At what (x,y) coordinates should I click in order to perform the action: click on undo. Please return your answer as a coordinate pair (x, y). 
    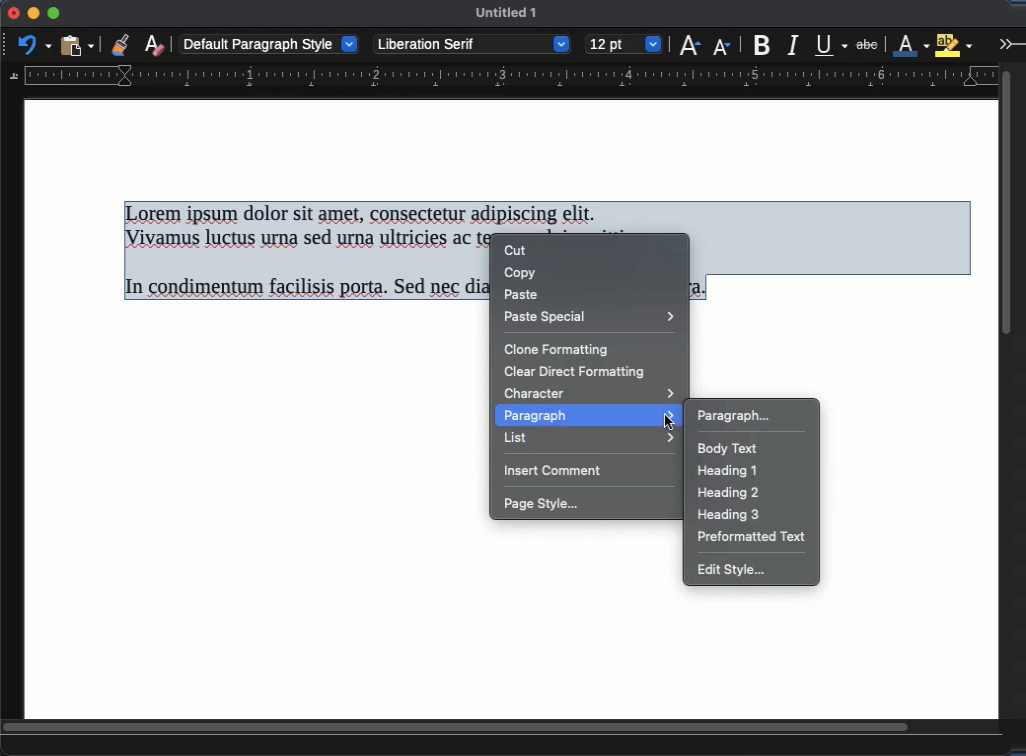
    Looking at the image, I should click on (35, 44).